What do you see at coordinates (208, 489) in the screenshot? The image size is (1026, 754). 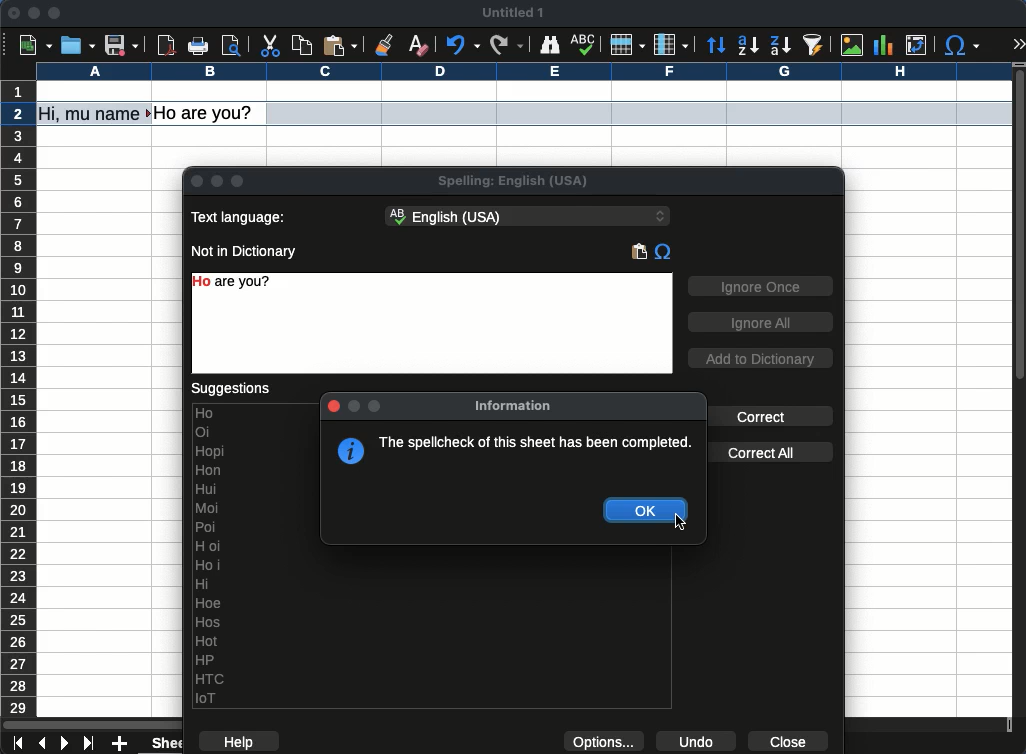 I see `Hui` at bounding box center [208, 489].